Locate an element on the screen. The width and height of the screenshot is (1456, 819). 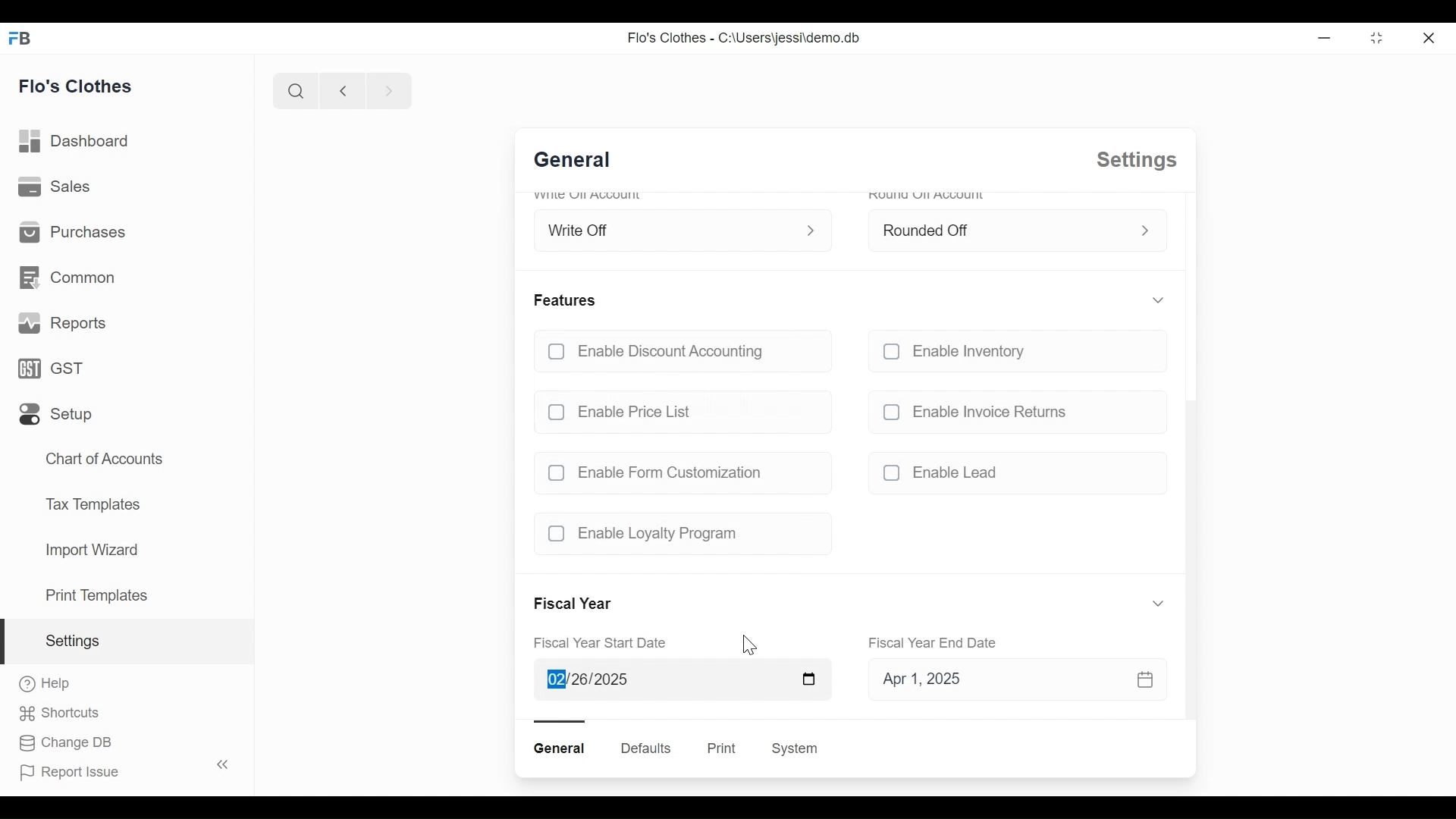
Defaults is located at coordinates (646, 748).